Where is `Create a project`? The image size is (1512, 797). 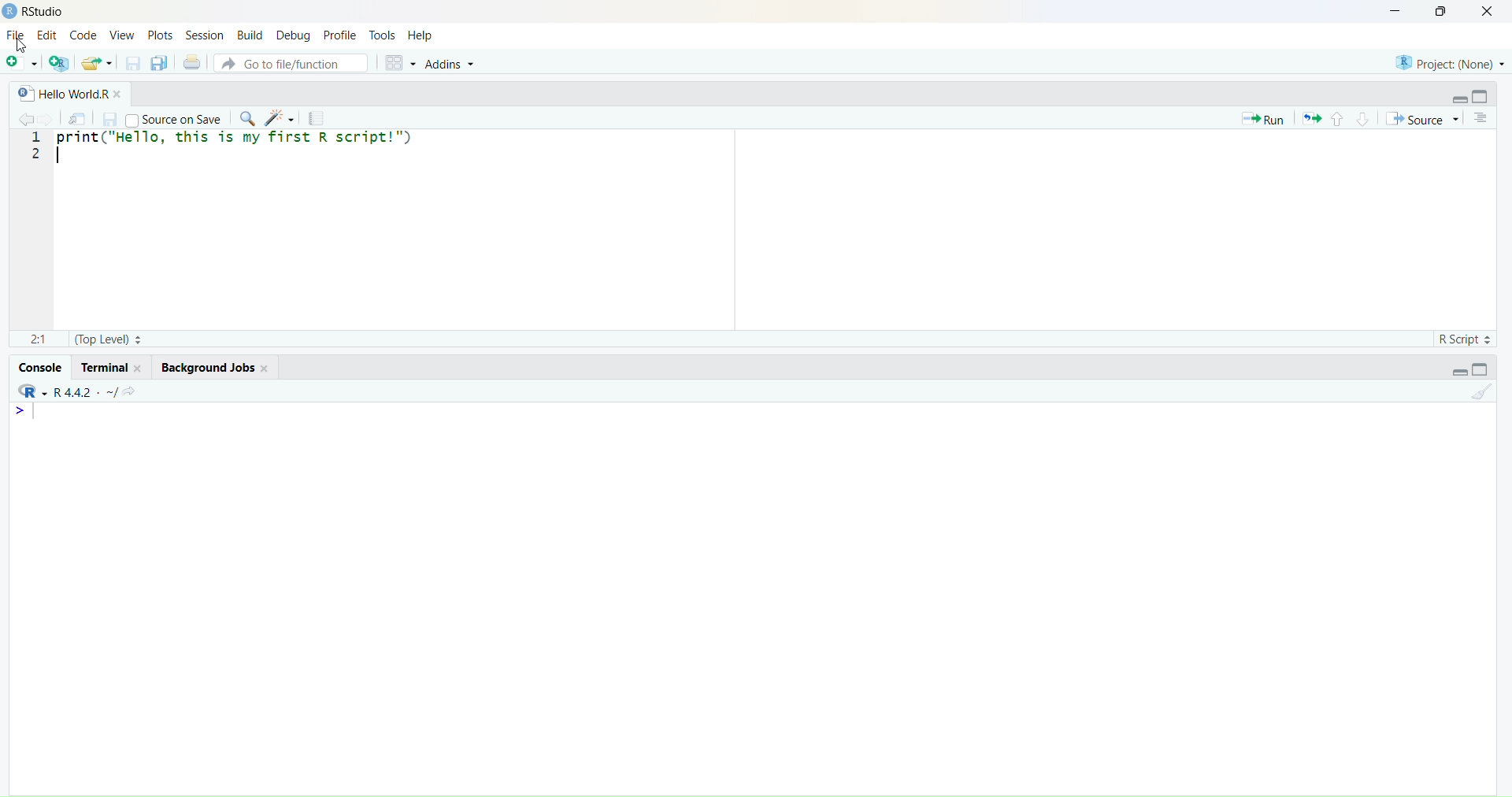 Create a project is located at coordinates (58, 63).